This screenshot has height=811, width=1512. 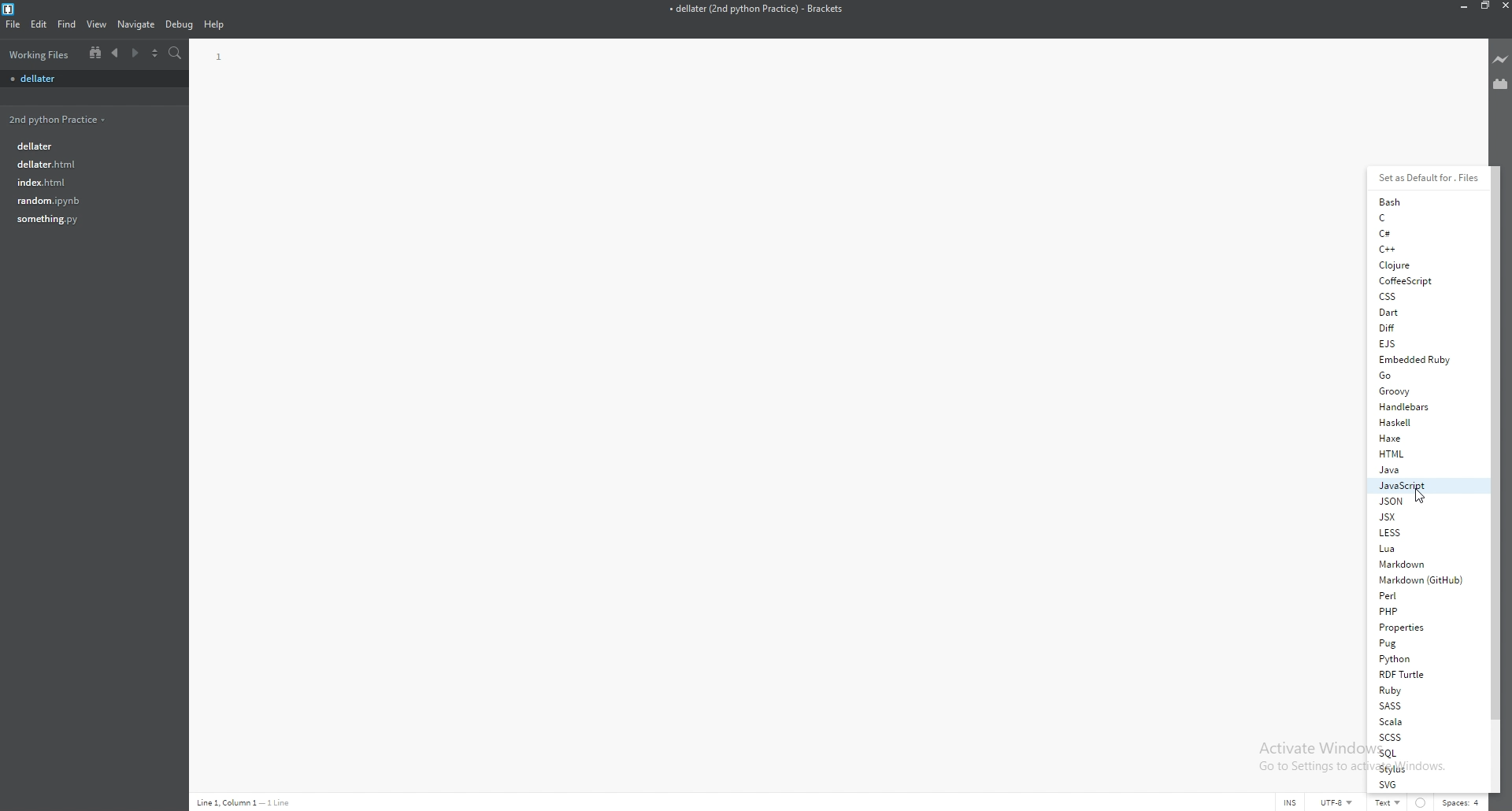 What do you see at coordinates (1421, 675) in the screenshot?
I see `rdf turtle` at bounding box center [1421, 675].